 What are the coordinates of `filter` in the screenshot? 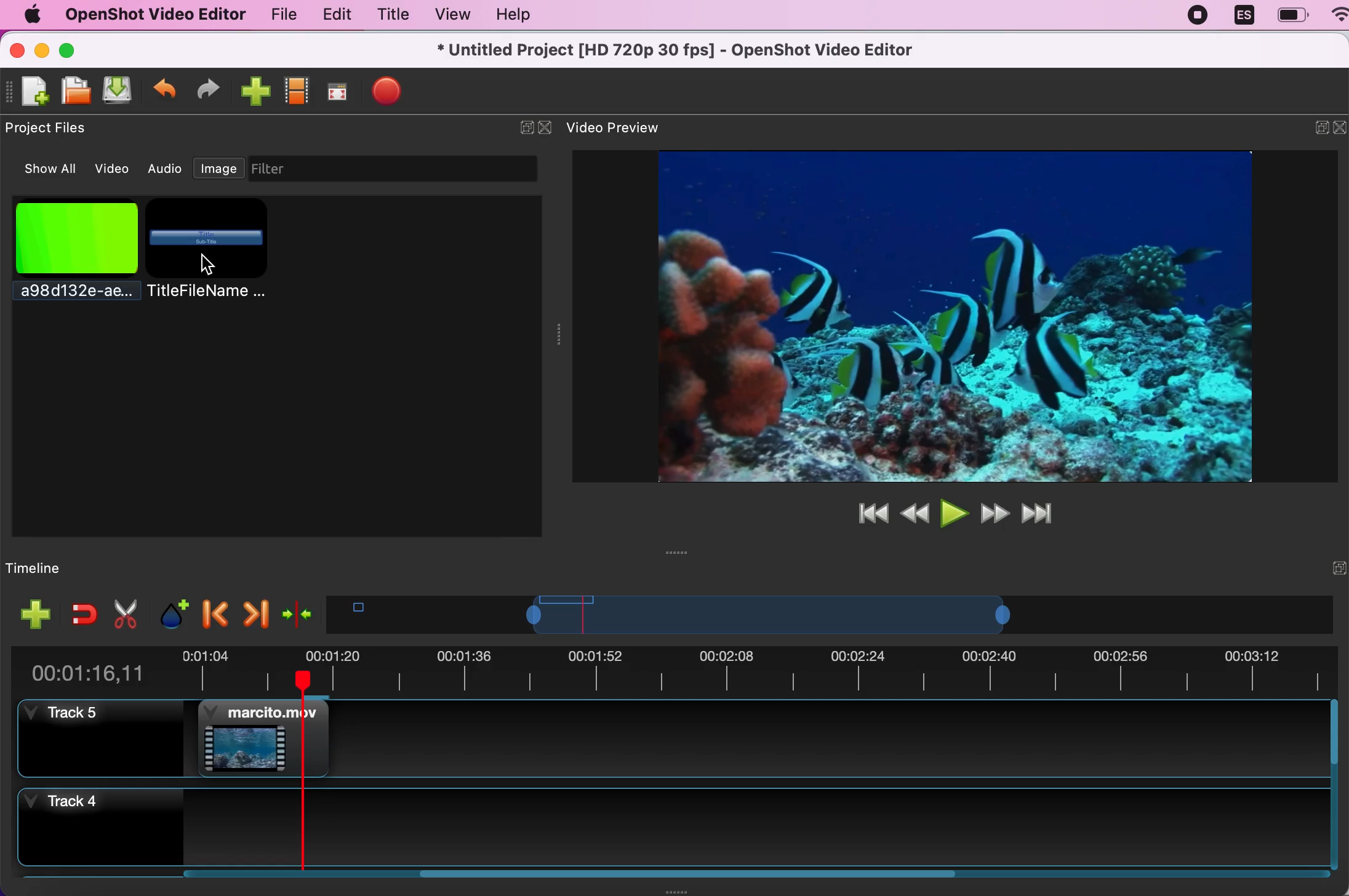 It's located at (404, 169).